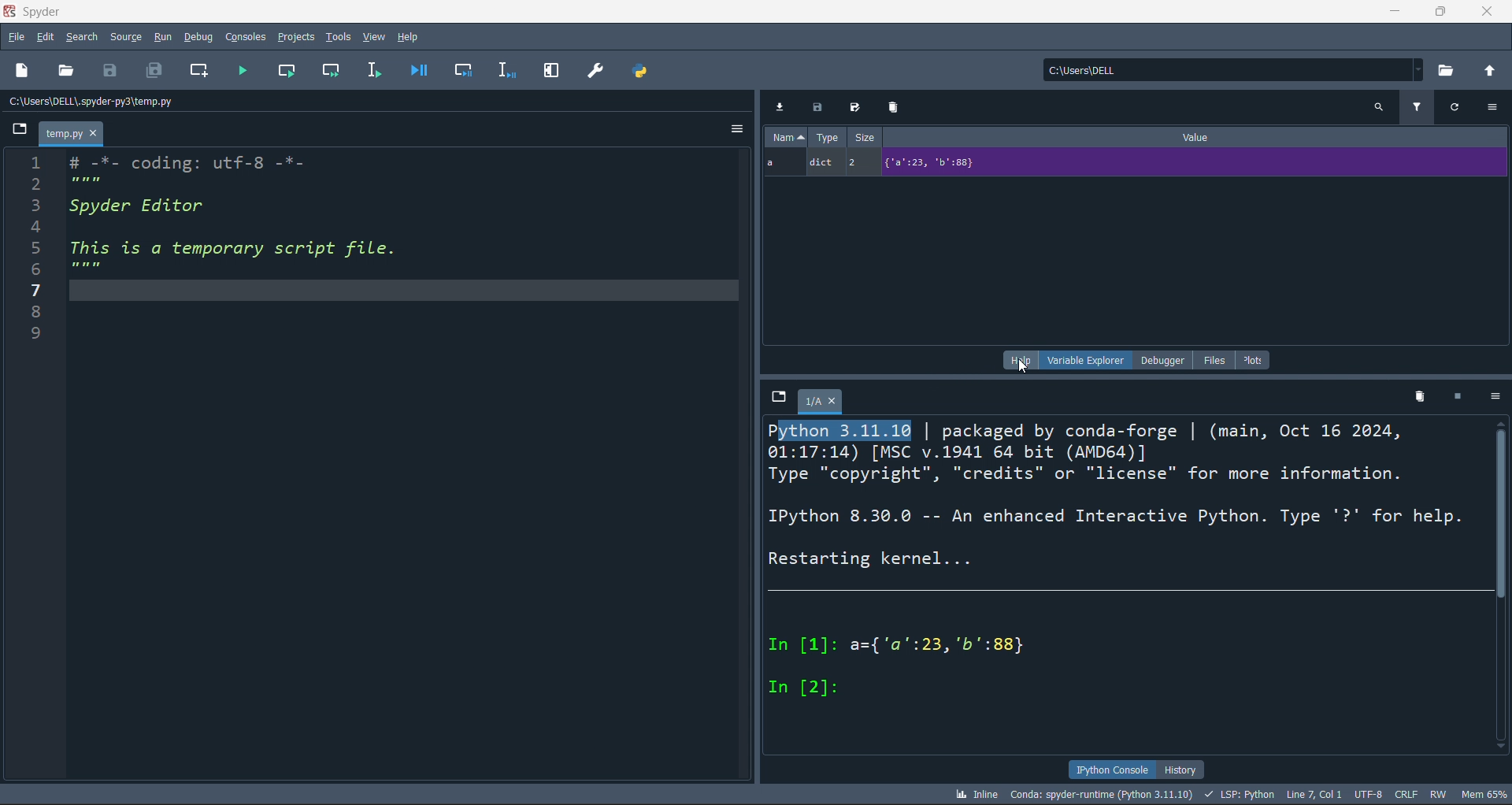 The height and width of the screenshot is (805, 1512). Describe the element at coordinates (93, 102) in the screenshot. I see `c:\users\dell\.spyder-py3\temp.py` at that location.